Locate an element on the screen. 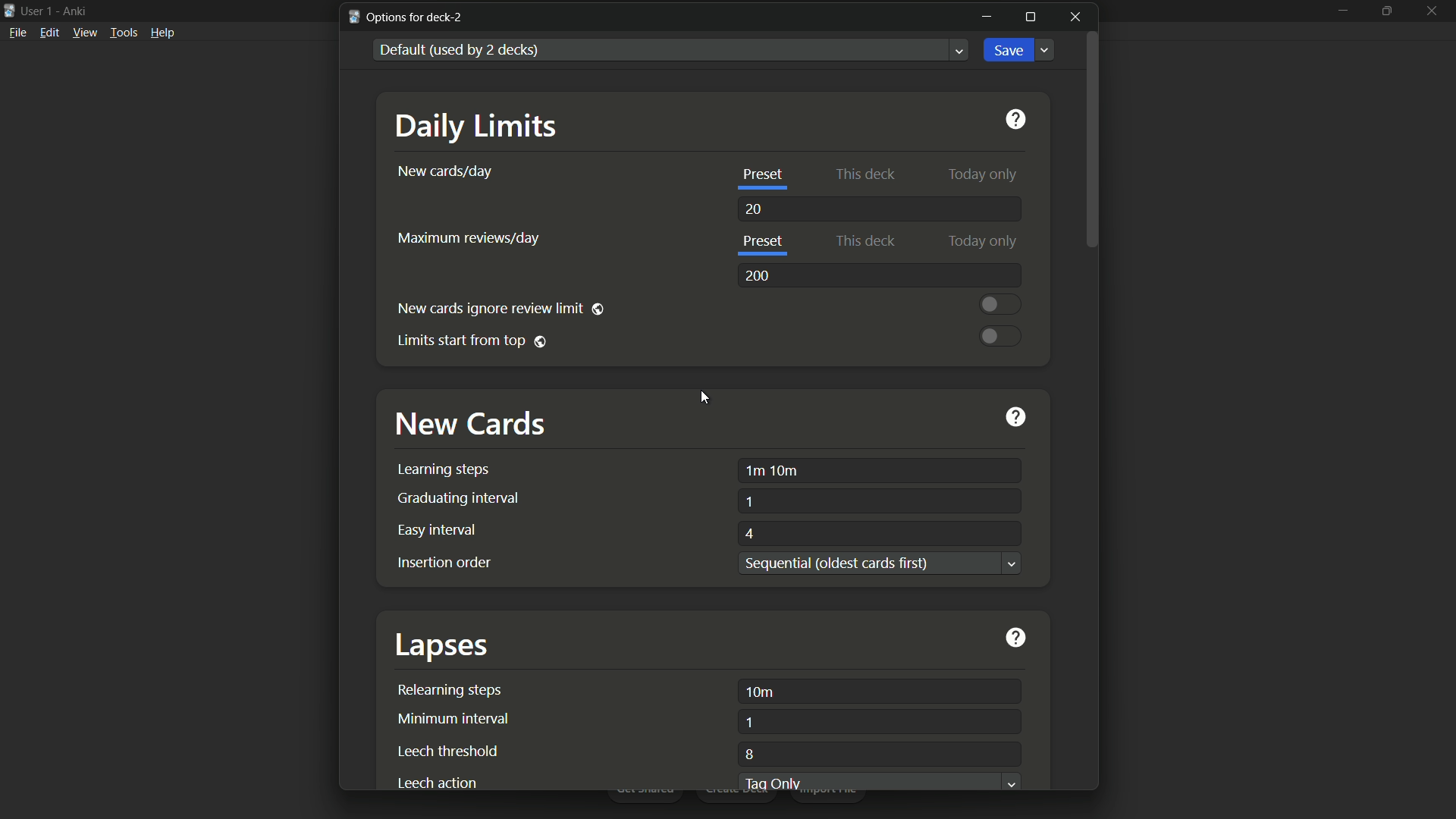  today only is located at coordinates (980, 174).